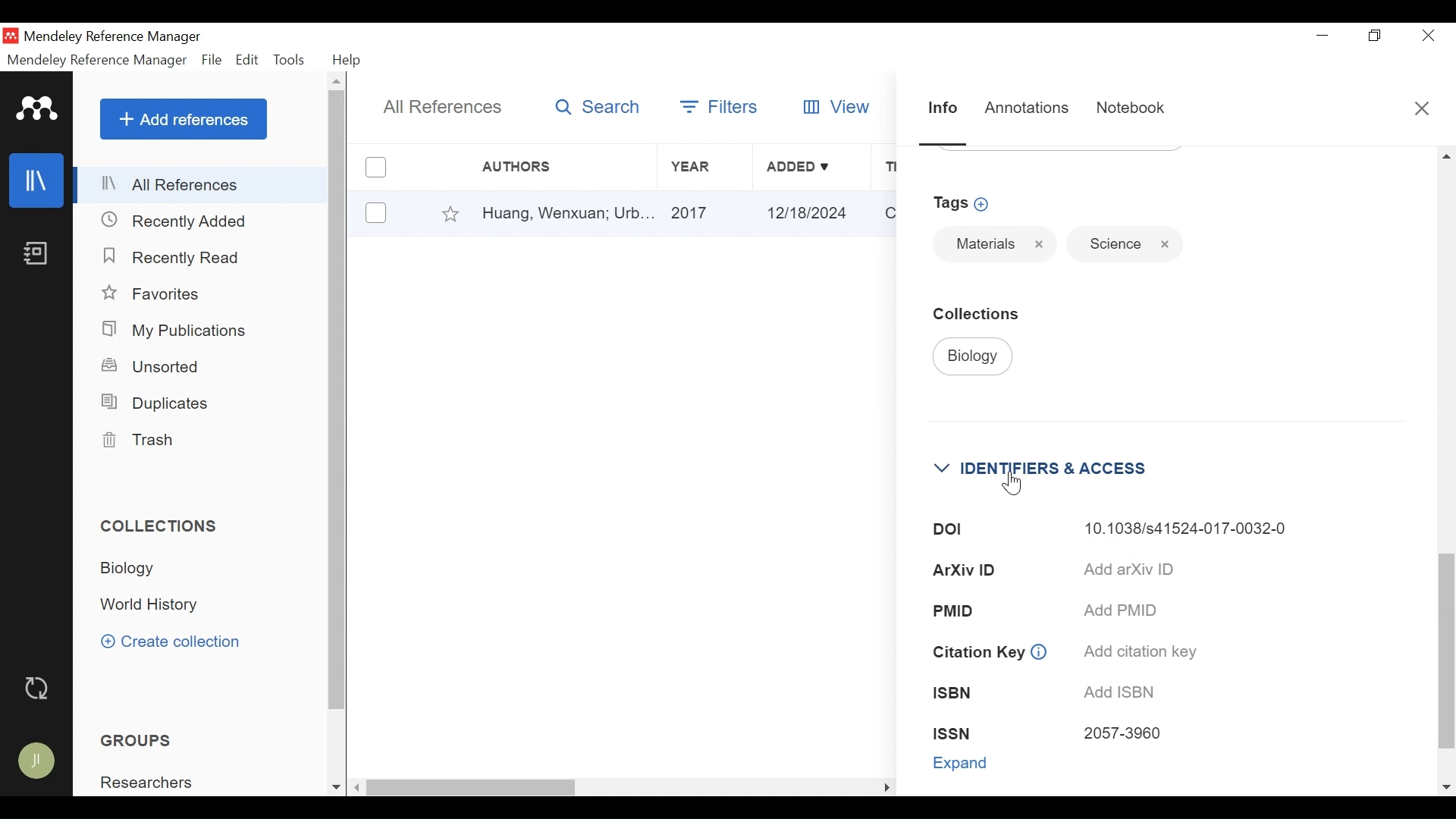 The height and width of the screenshot is (819, 1456). Describe the element at coordinates (375, 167) in the screenshot. I see `(un)select all` at that location.